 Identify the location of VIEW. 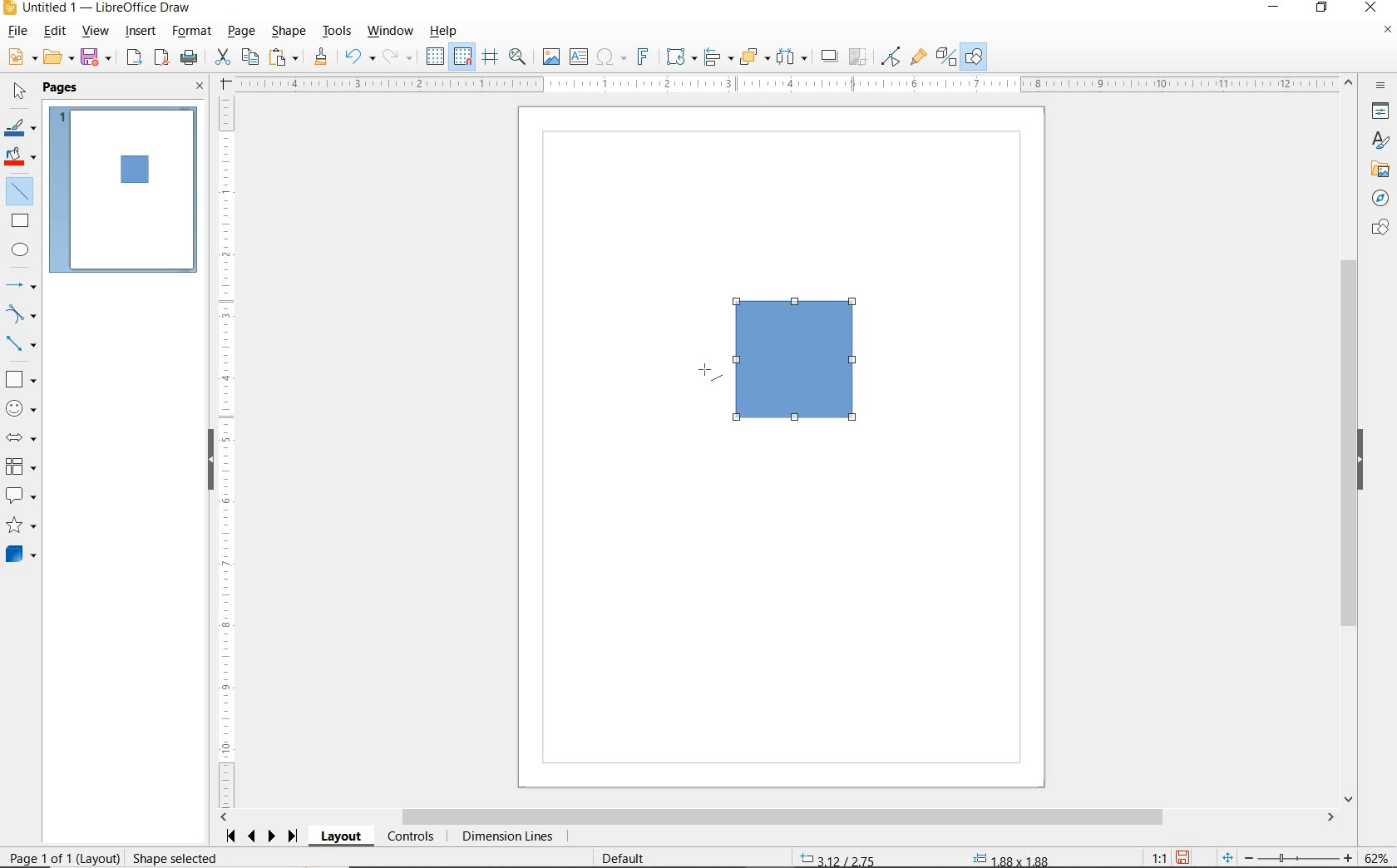
(95, 31).